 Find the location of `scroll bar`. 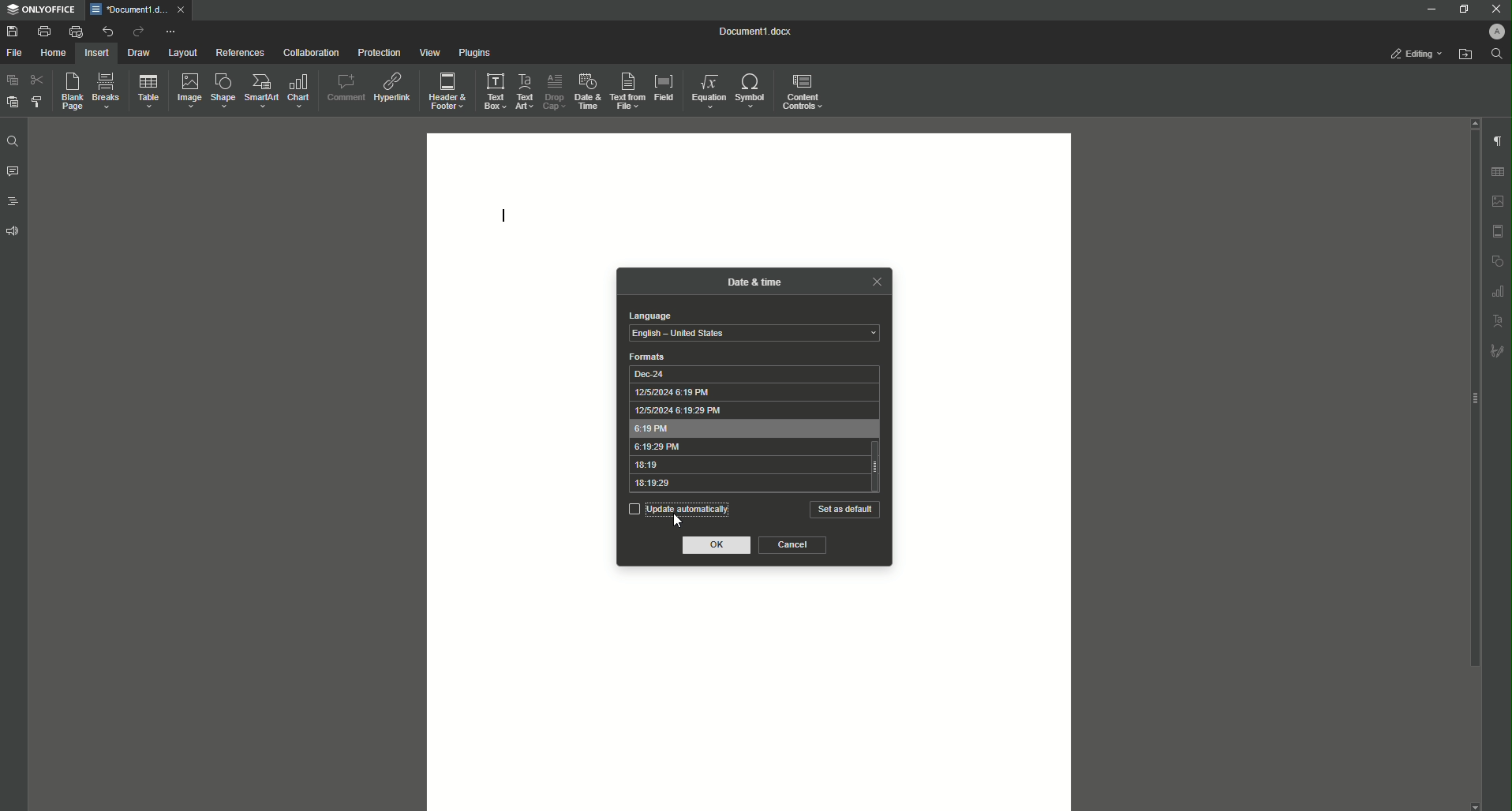

scroll bar is located at coordinates (1472, 399).